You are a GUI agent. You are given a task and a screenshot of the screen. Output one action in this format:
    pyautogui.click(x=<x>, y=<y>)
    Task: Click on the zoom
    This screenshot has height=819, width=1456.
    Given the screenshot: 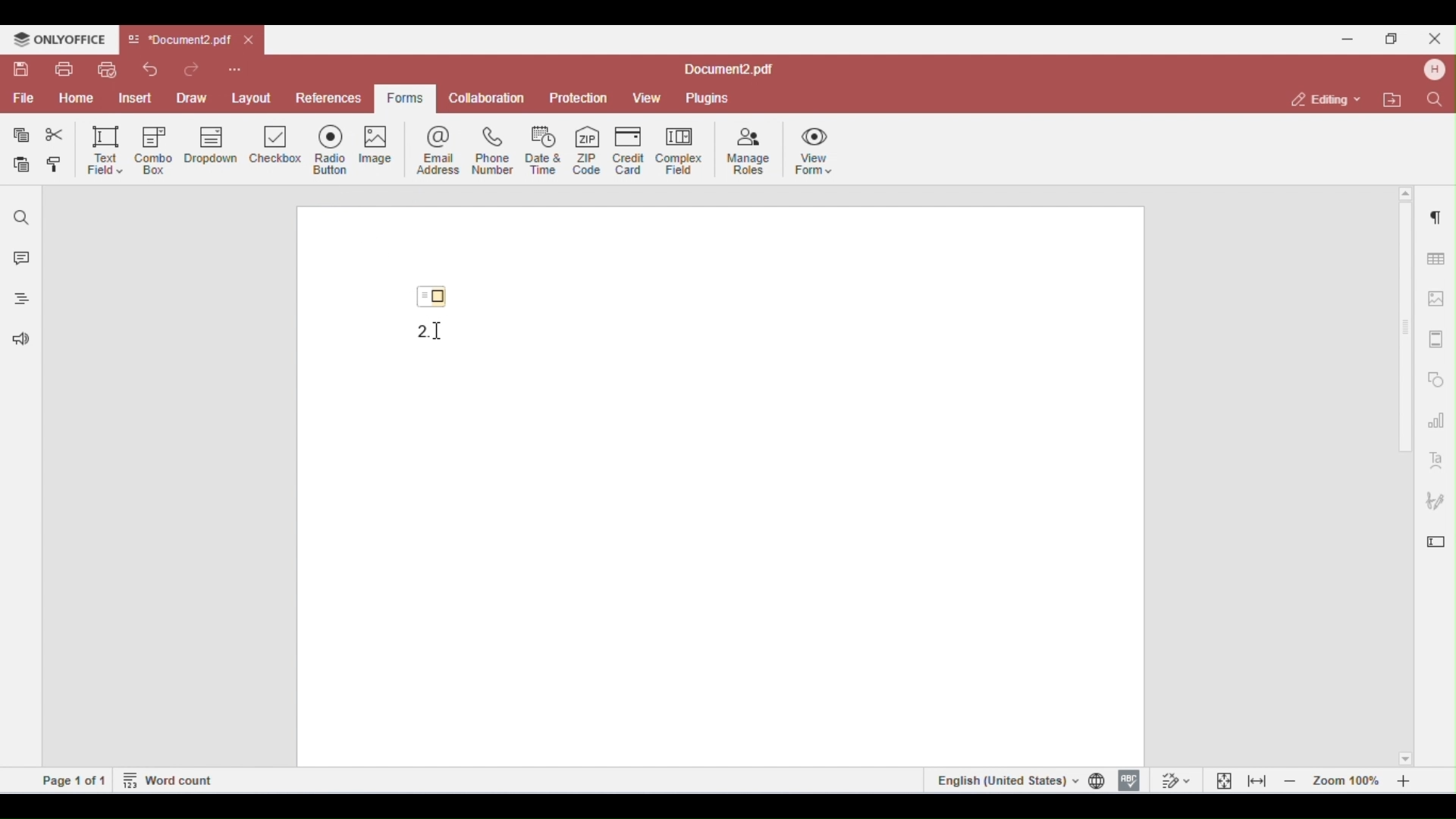 What is the action you would take?
    pyautogui.click(x=1351, y=780)
    